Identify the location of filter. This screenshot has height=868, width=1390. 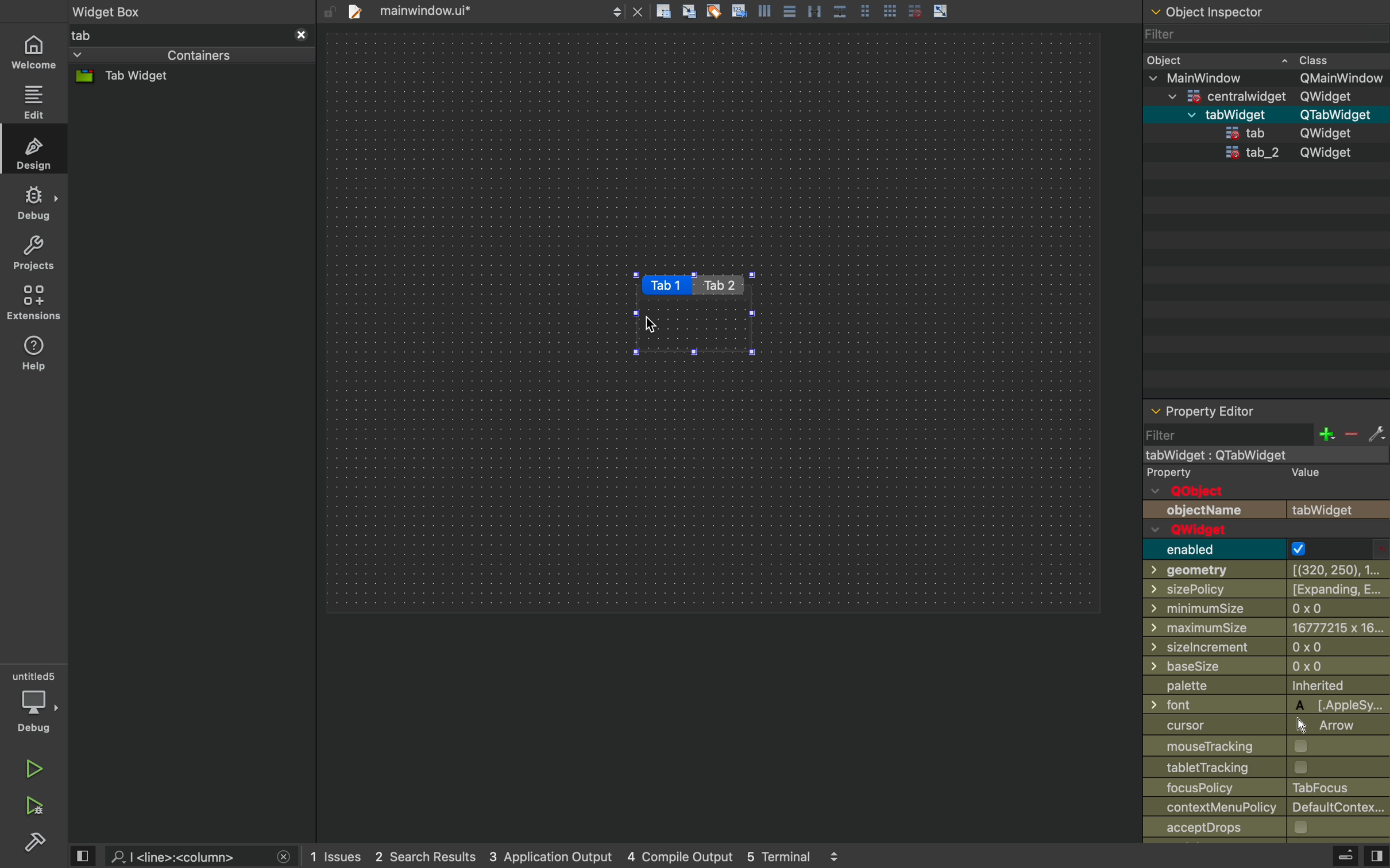
(1172, 436).